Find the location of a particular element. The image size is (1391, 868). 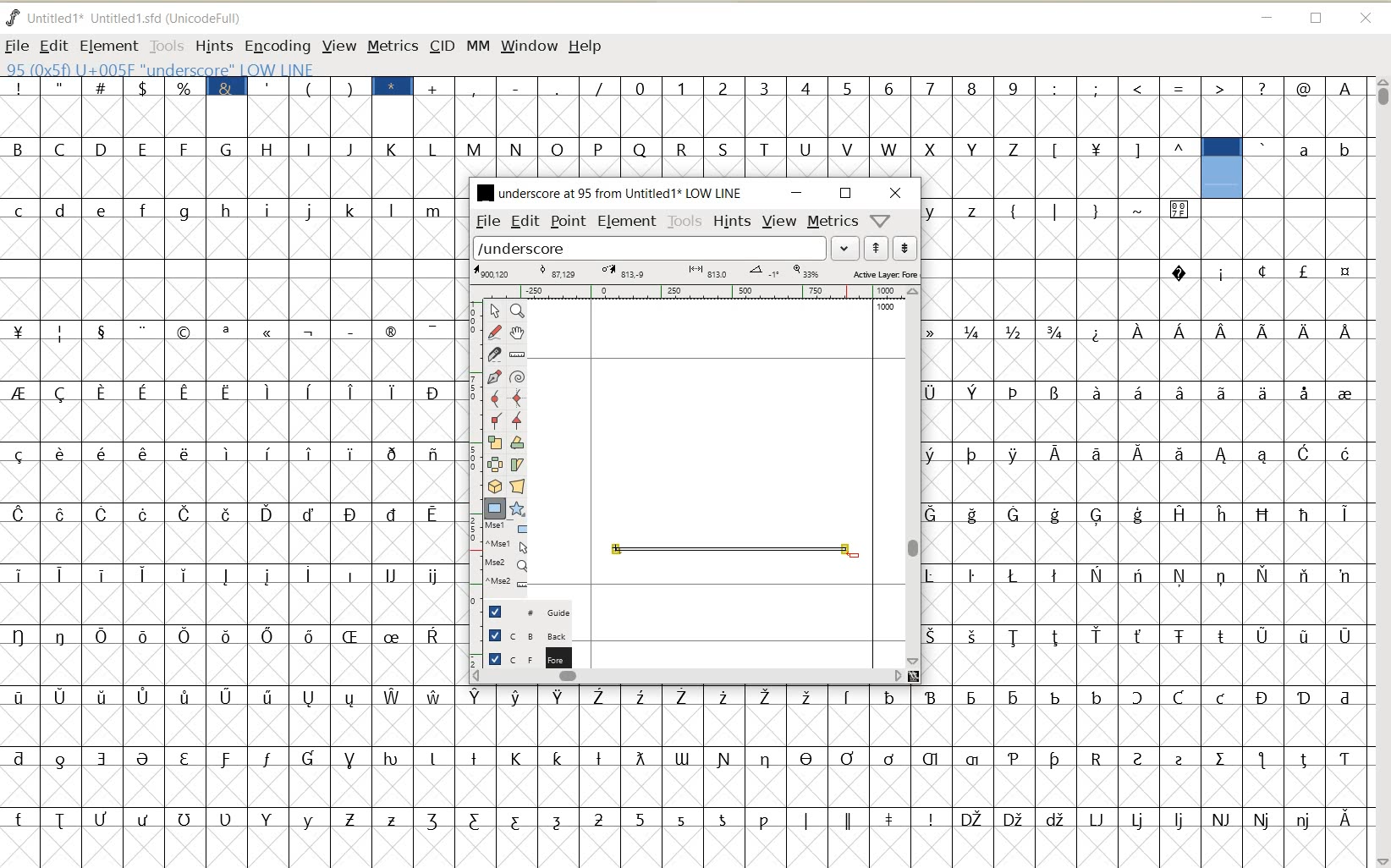

FILE is located at coordinates (17, 46).